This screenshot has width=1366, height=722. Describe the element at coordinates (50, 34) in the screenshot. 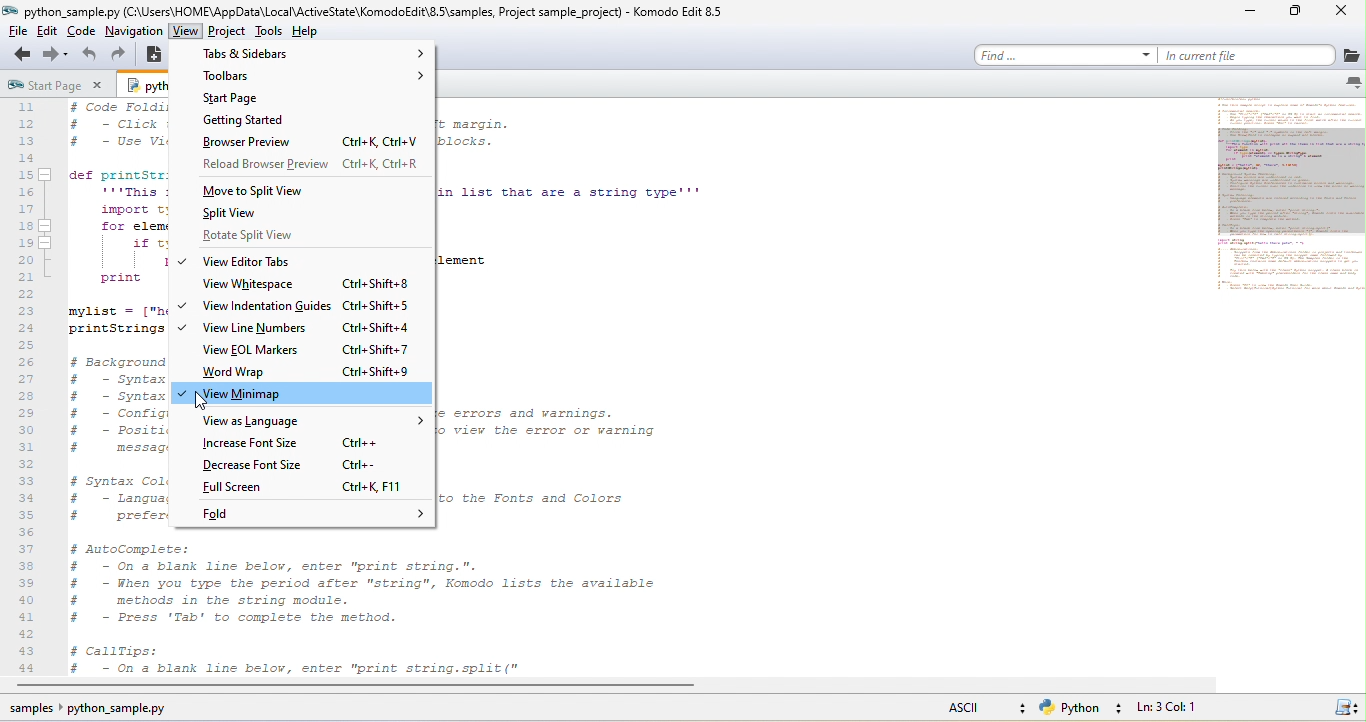

I see `edit` at that location.